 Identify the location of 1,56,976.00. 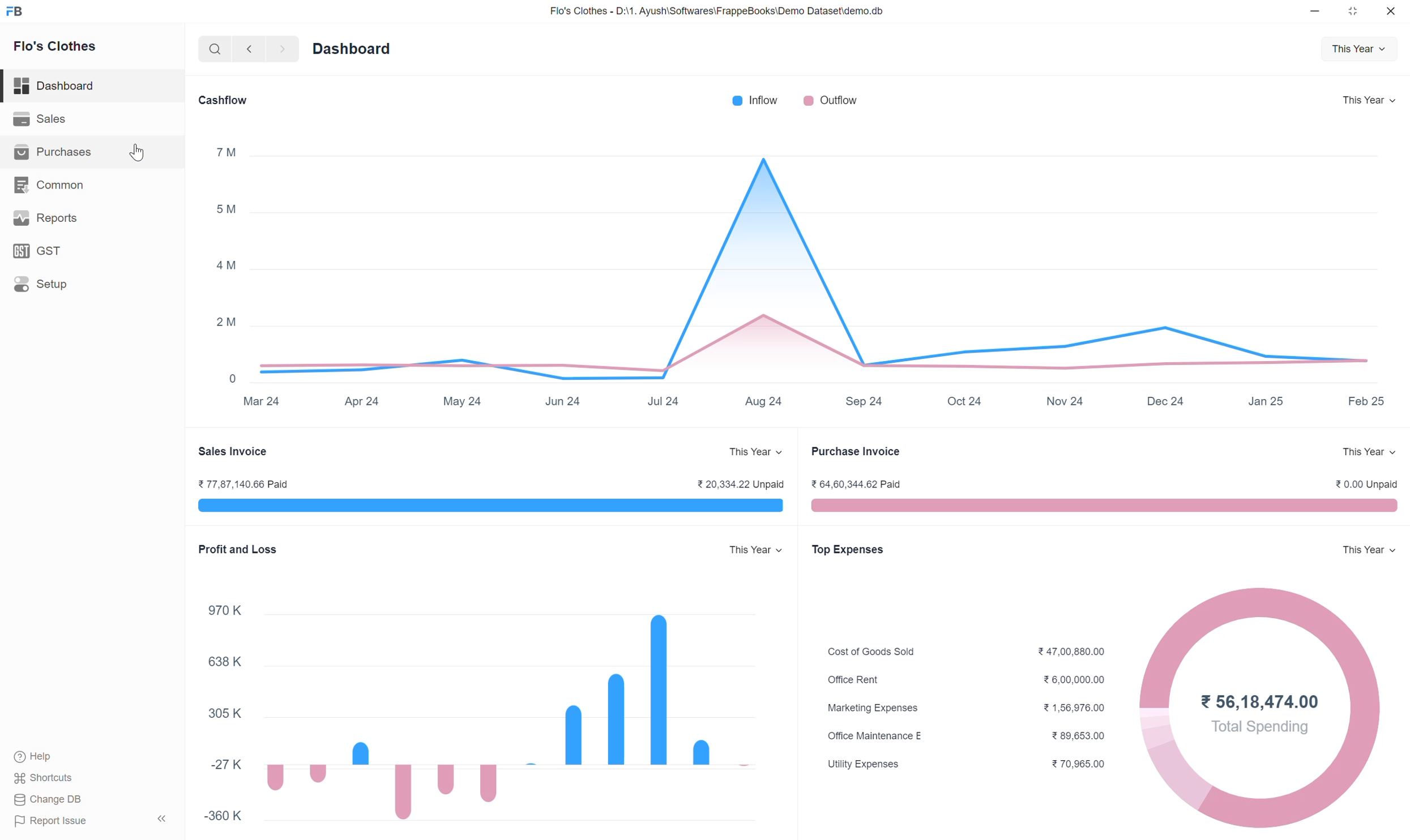
(1075, 707).